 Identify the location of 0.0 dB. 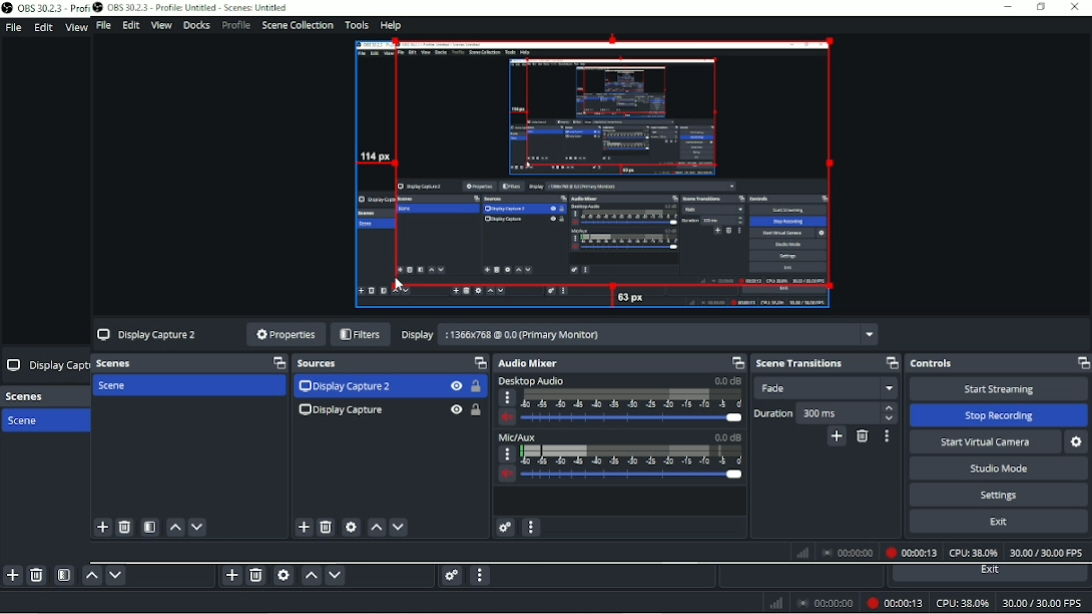
(726, 382).